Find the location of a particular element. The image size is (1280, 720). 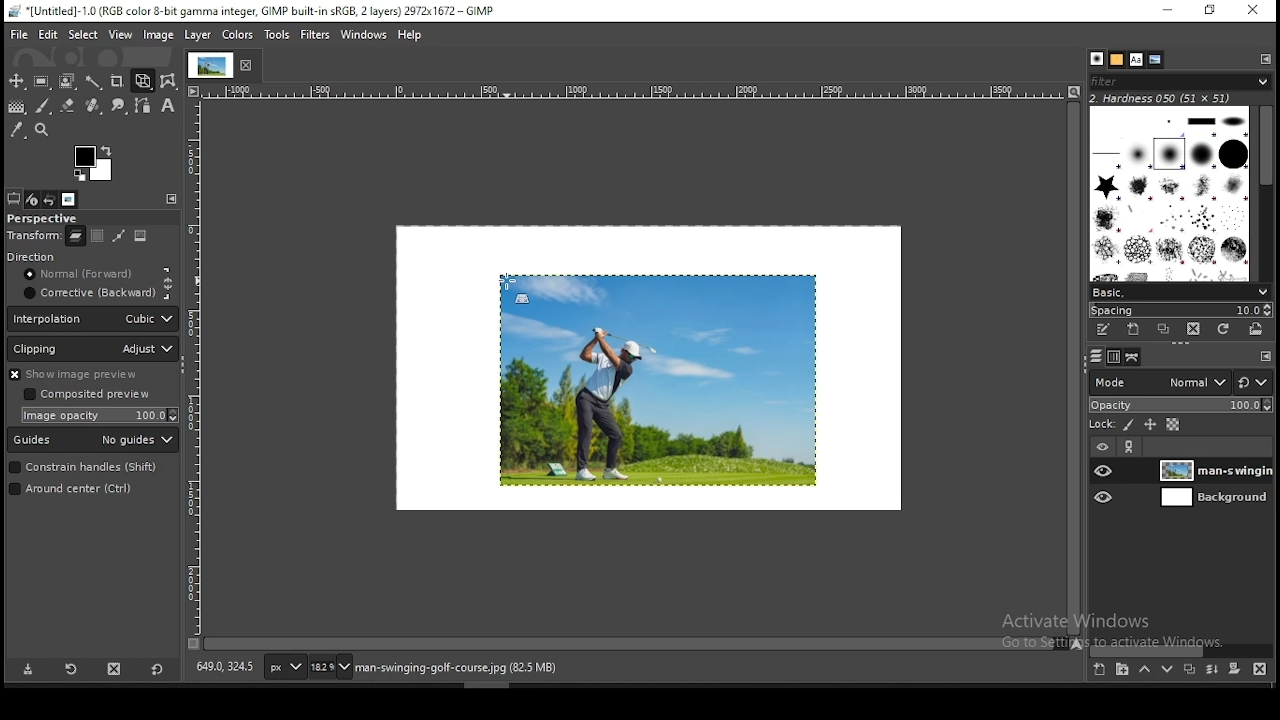

paths tool is located at coordinates (145, 106).